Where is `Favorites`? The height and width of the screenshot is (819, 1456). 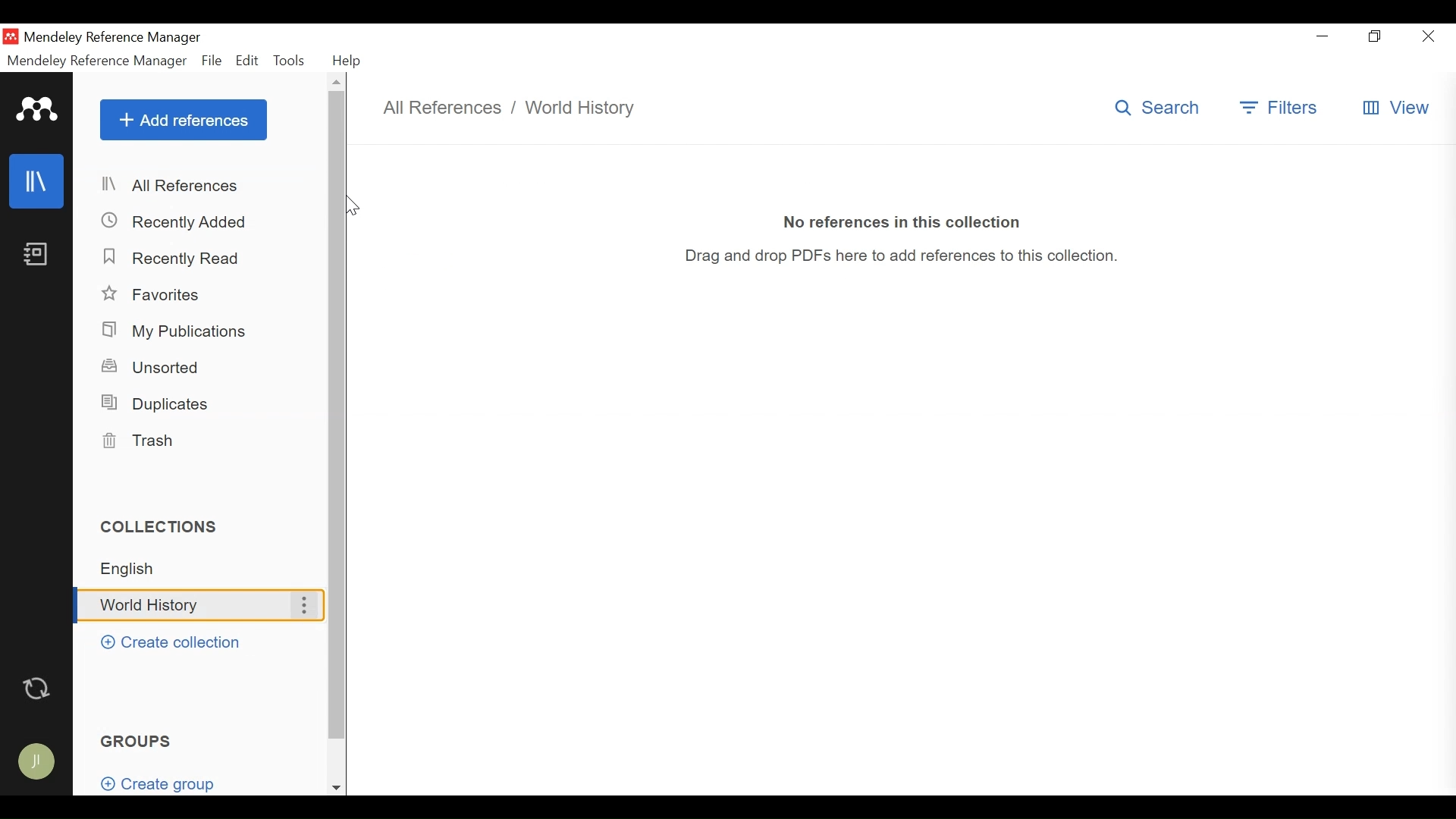
Favorites is located at coordinates (154, 295).